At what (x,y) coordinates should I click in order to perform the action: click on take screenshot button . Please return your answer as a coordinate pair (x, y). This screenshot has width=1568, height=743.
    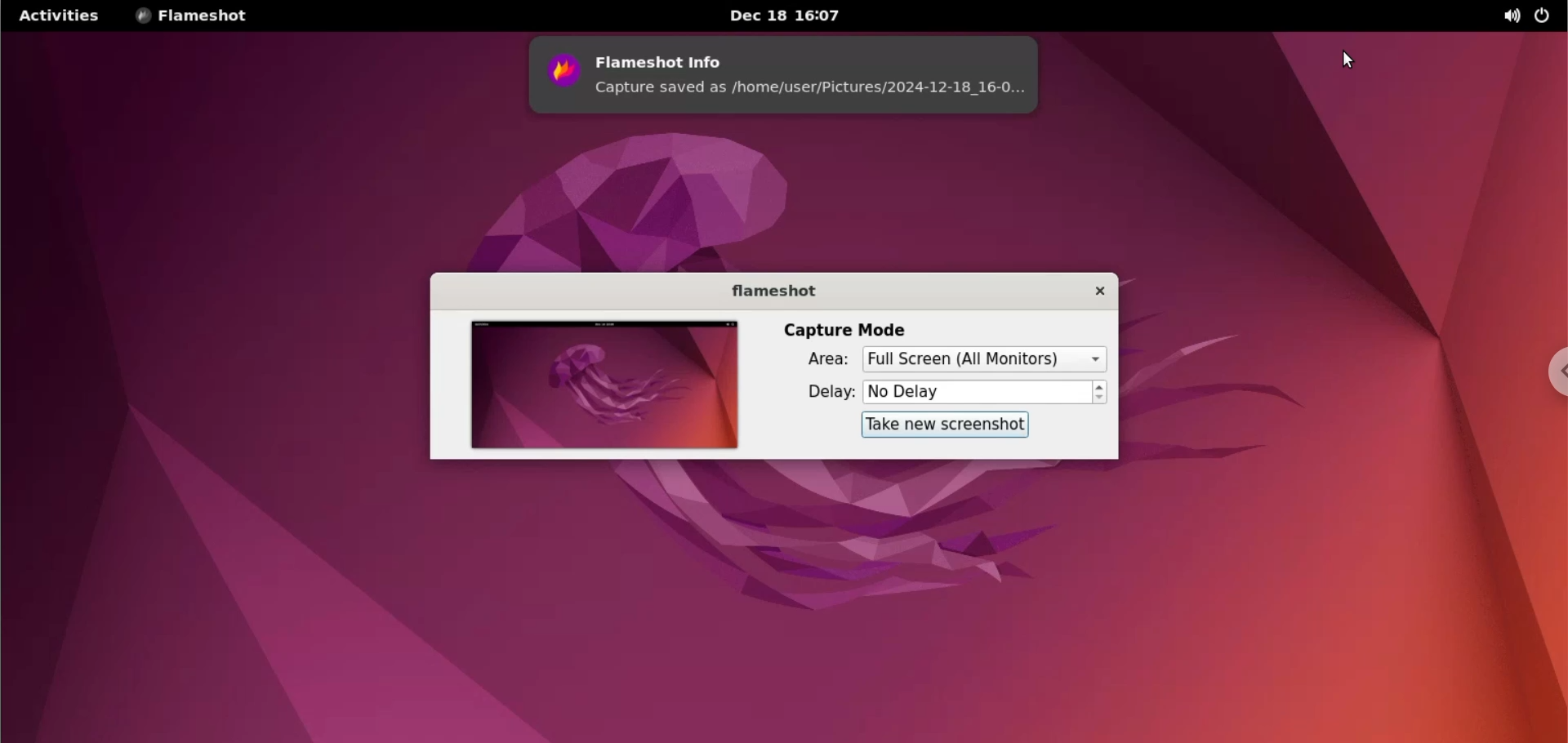
    Looking at the image, I should click on (943, 424).